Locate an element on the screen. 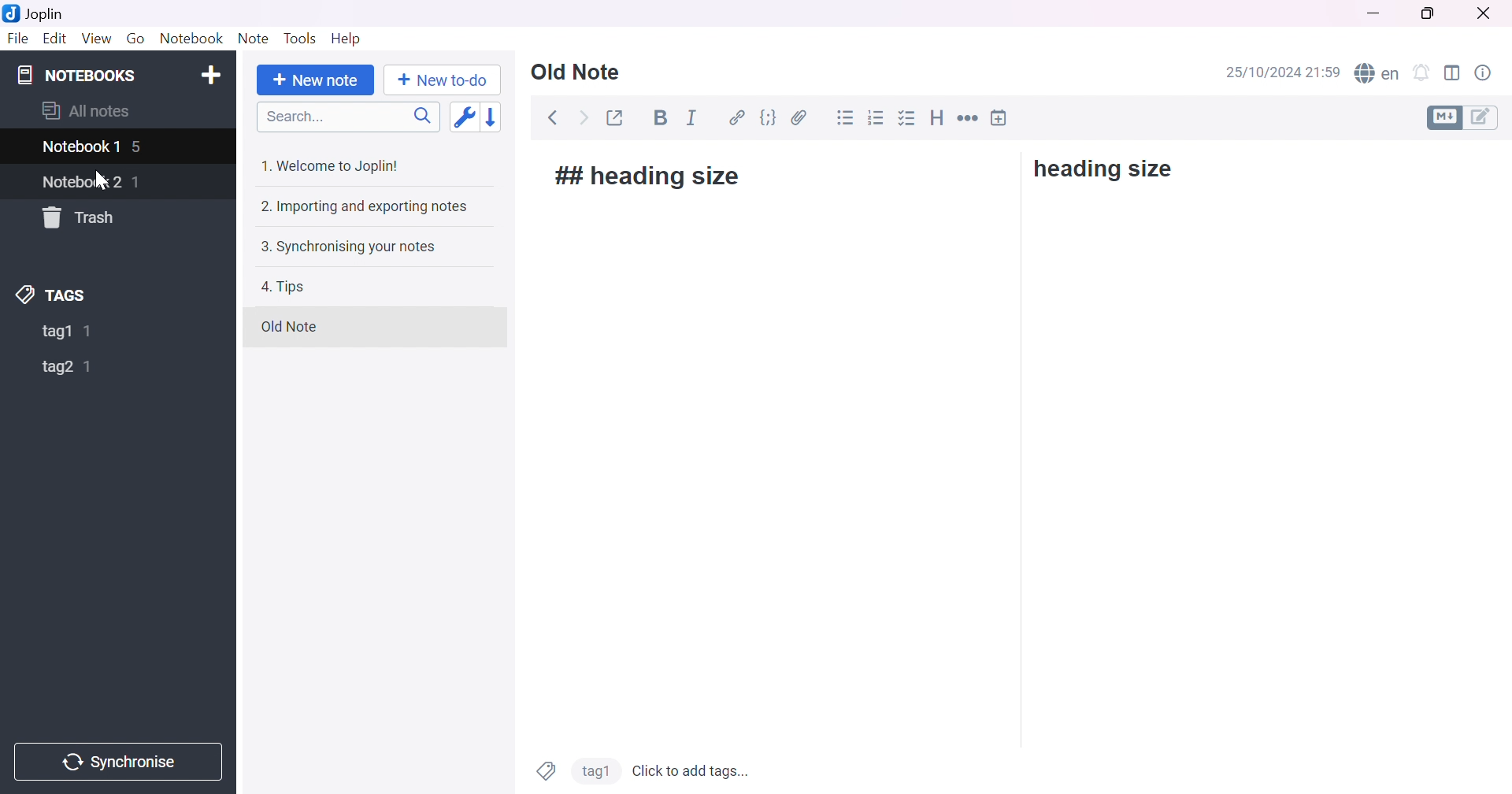 This screenshot has height=794, width=1512. Italic is located at coordinates (692, 118).